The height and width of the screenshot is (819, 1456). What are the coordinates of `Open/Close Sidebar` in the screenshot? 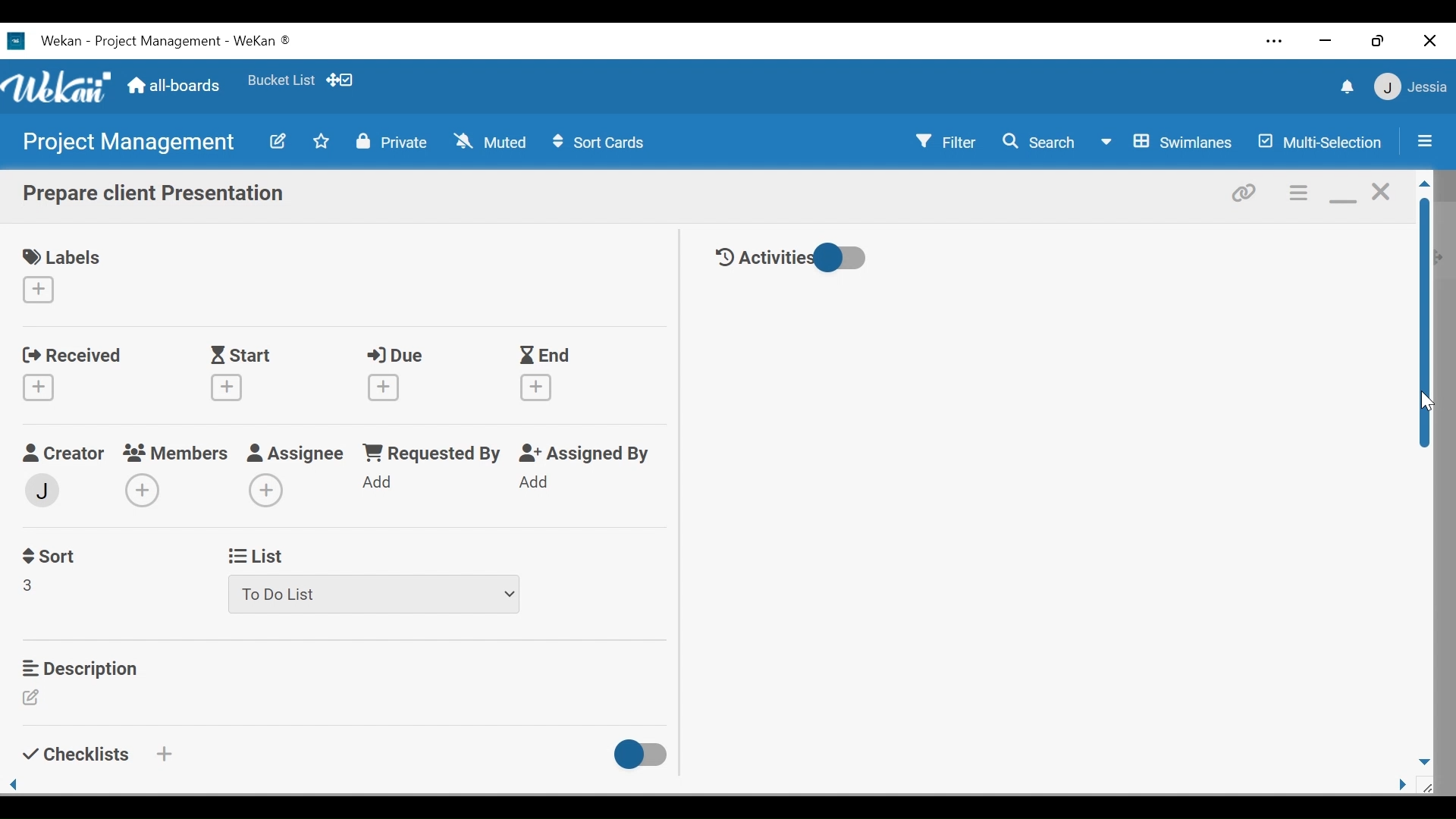 It's located at (1423, 140).